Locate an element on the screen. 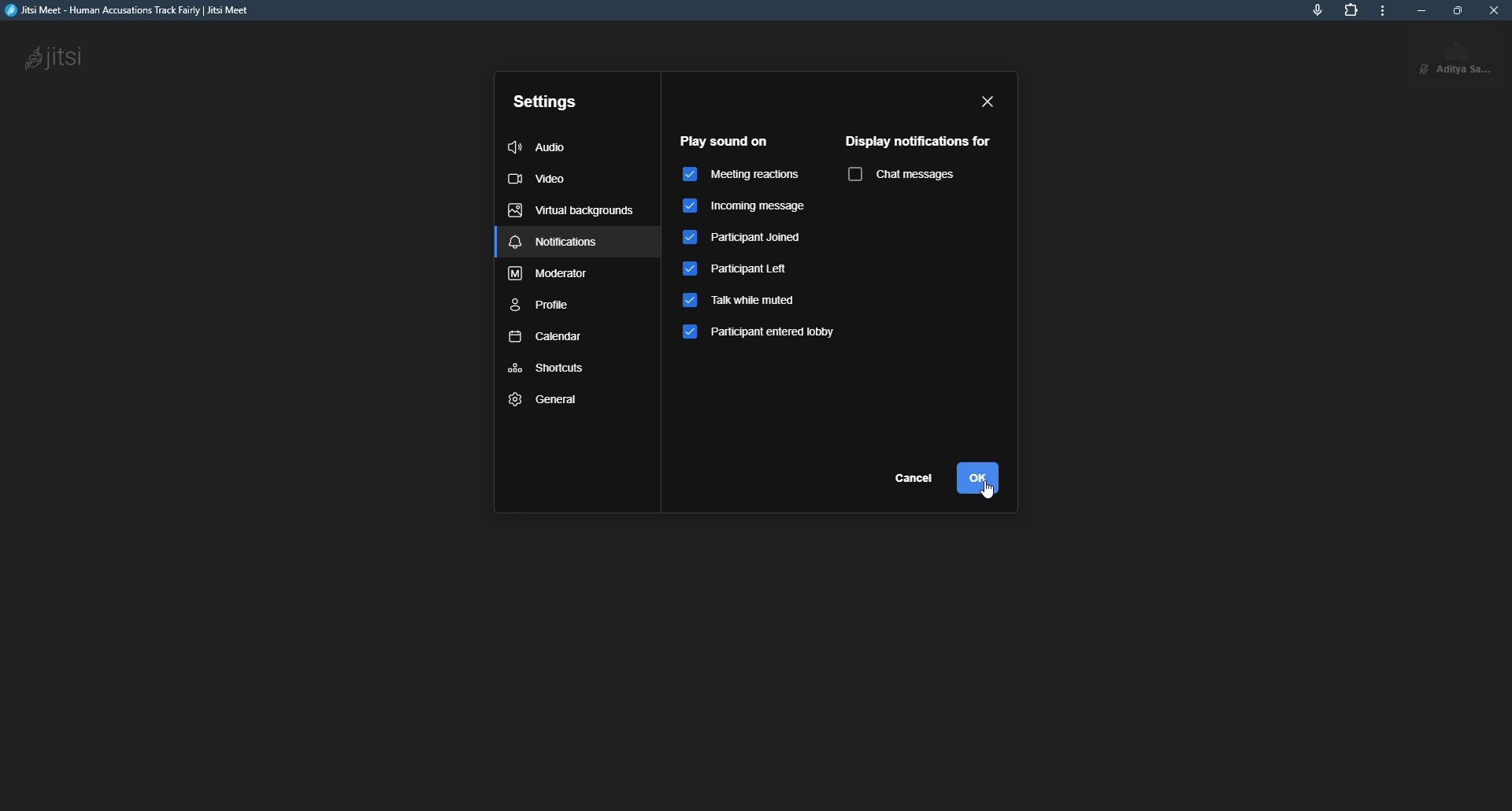 The height and width of the screenshot is (811, 1512). meeting reactions is located at coordinates (740, 176).